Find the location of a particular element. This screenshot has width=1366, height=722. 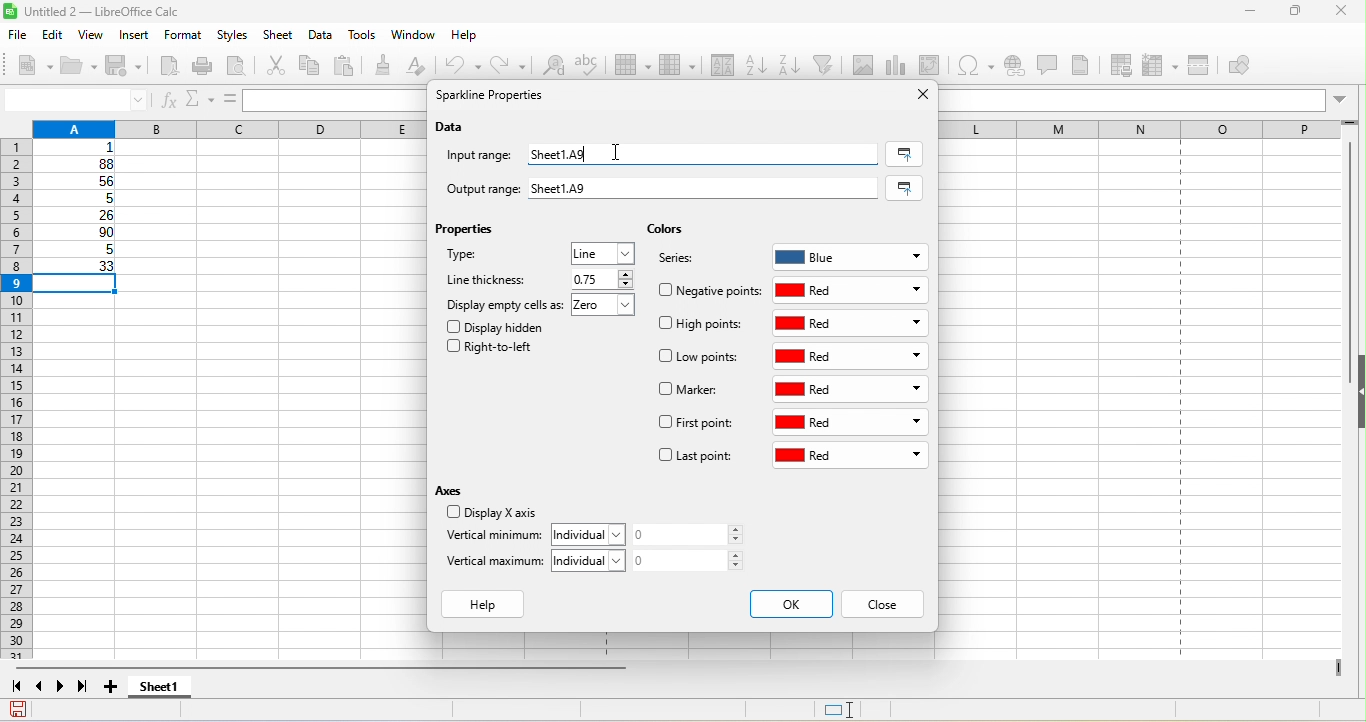

row is located at coordinates (633, 67).